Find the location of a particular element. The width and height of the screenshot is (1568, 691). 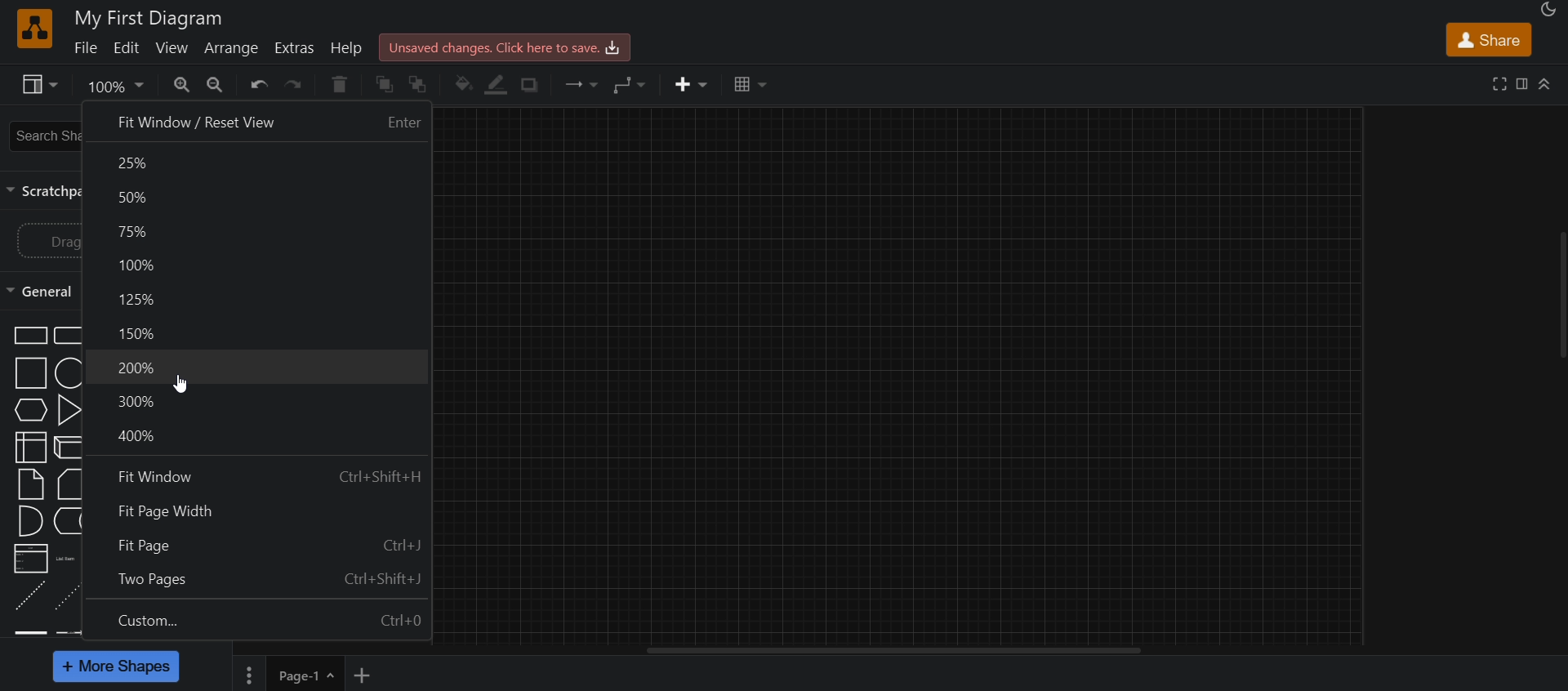

zoom is located at coordinates (118, 87).